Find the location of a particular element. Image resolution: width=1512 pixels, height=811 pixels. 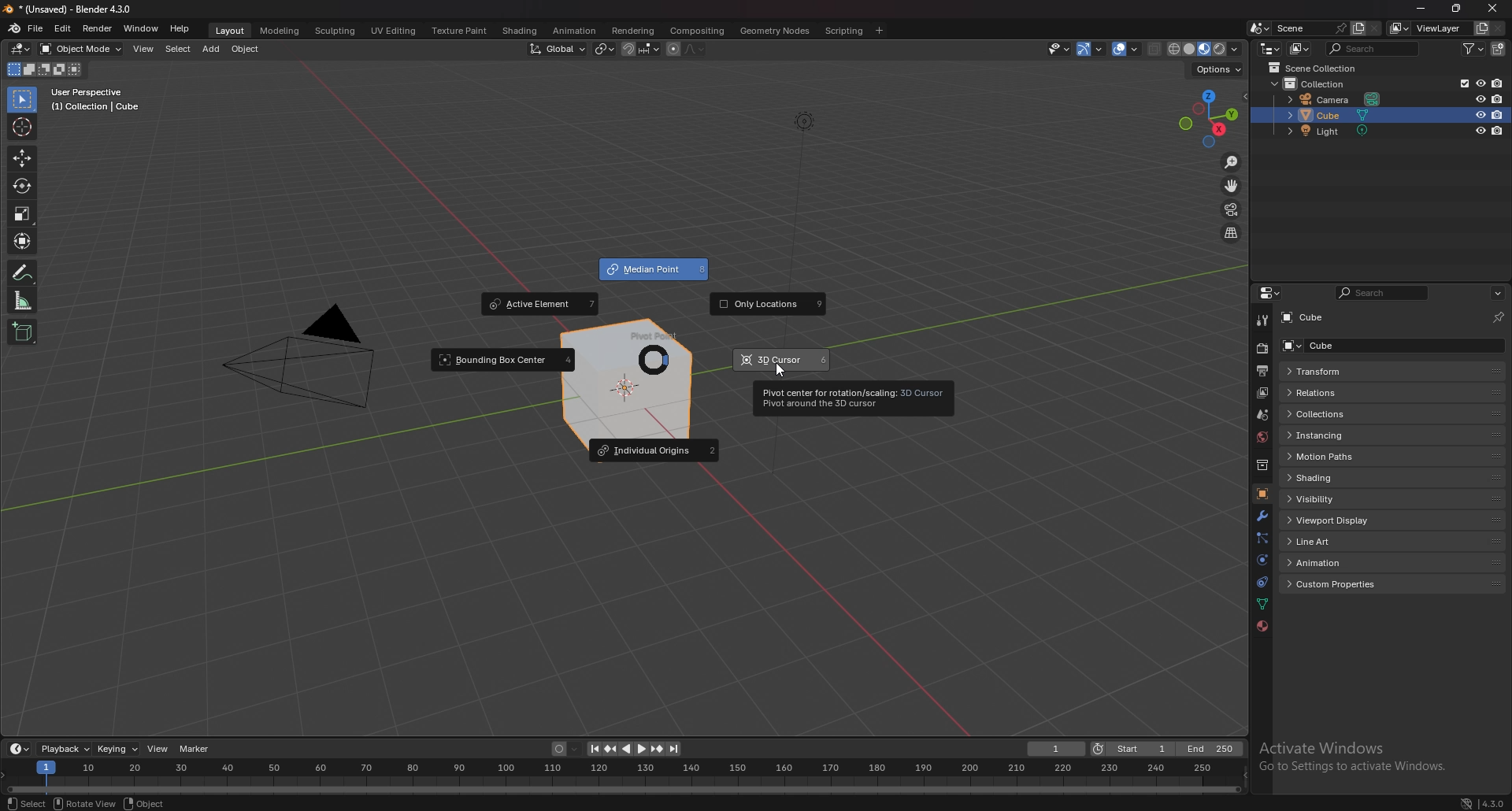

viewport shading is located at coordinates (1205, 50).